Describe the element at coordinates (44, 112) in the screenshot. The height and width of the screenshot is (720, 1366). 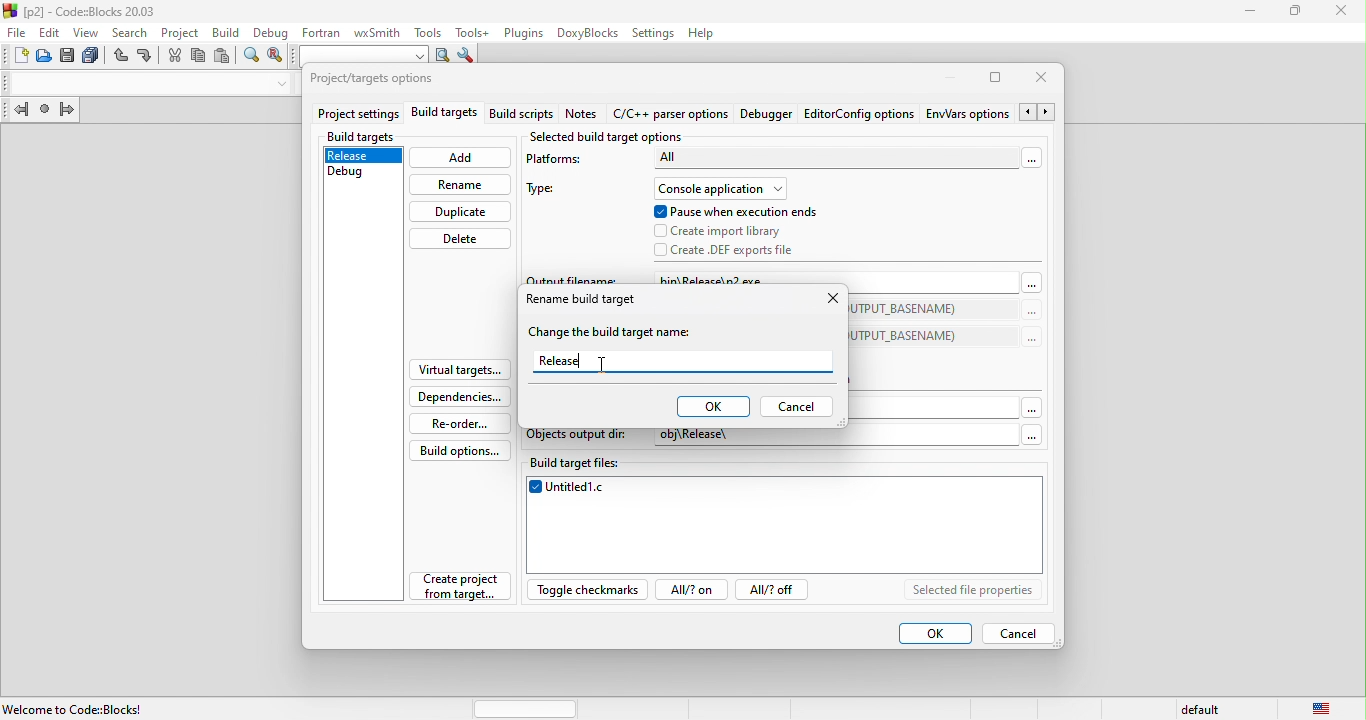
I see `las` at that location.